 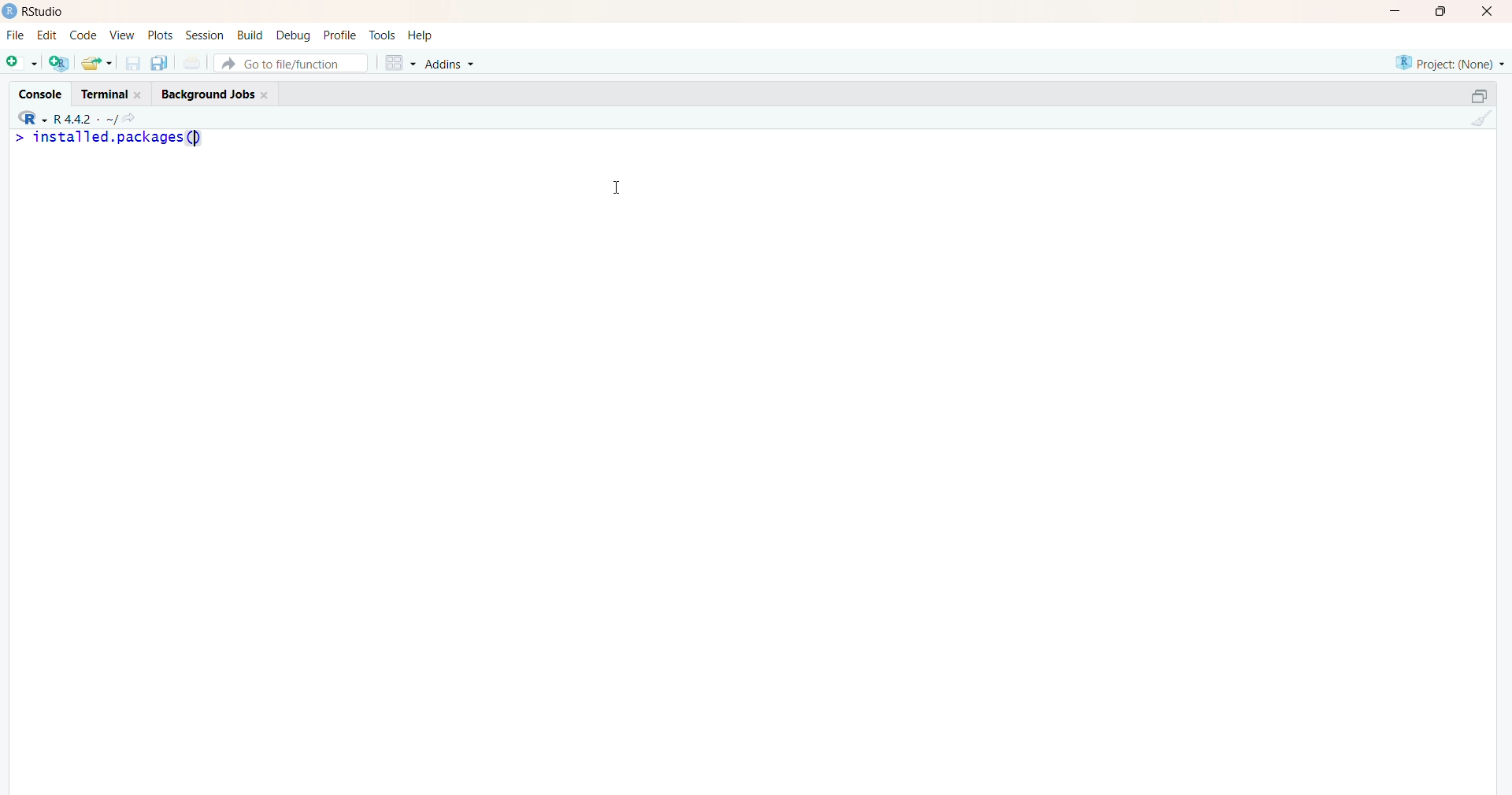 What do you see at coordinates (1473, 98) in the screenshot?
I see `collapse` at bounding box center [1473, 98].